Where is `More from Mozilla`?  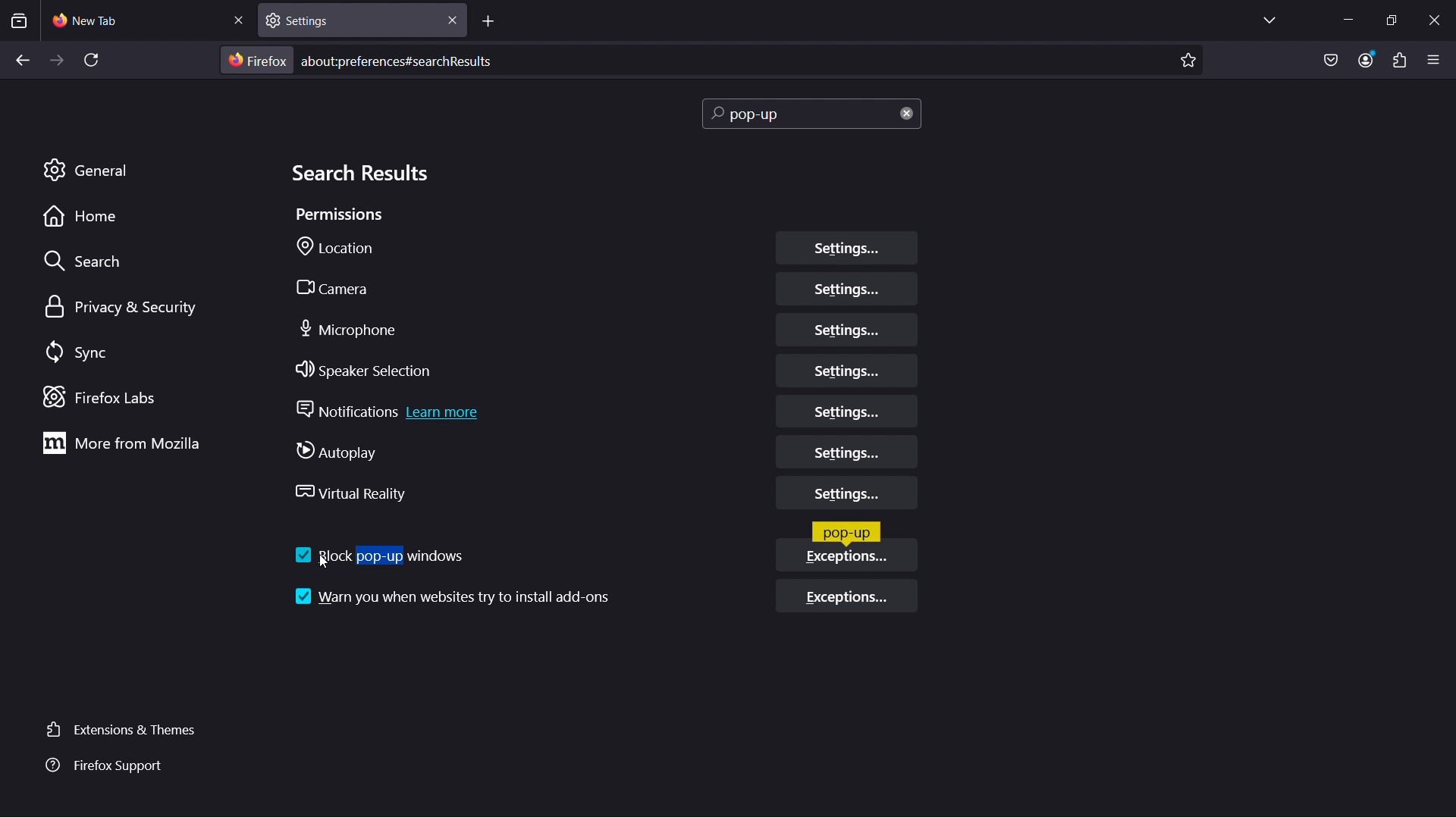
More from Mozilla is located at coordinates (118, 446).